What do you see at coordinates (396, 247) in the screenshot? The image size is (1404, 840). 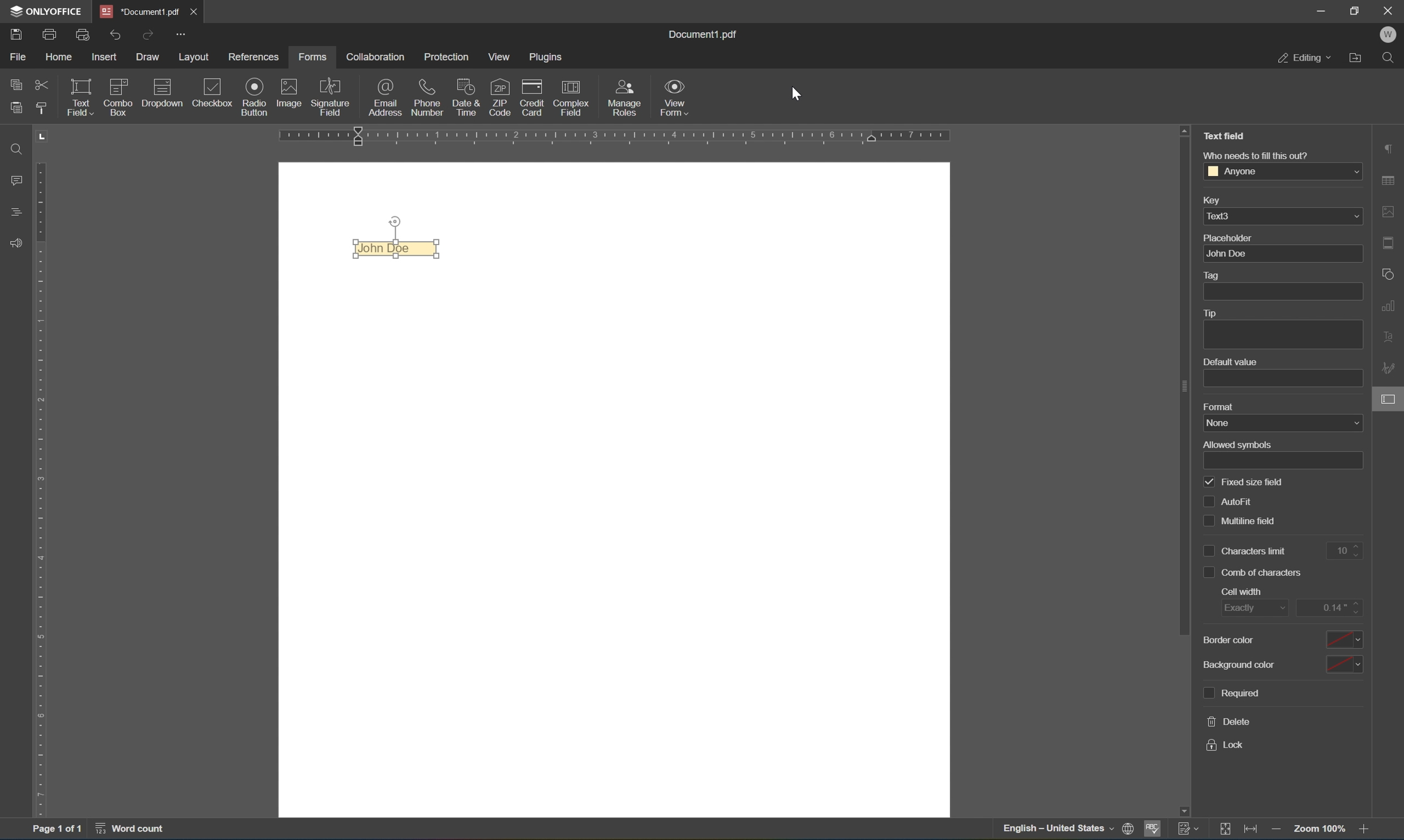 I see `John Doe` at bounding box center [396, 247].